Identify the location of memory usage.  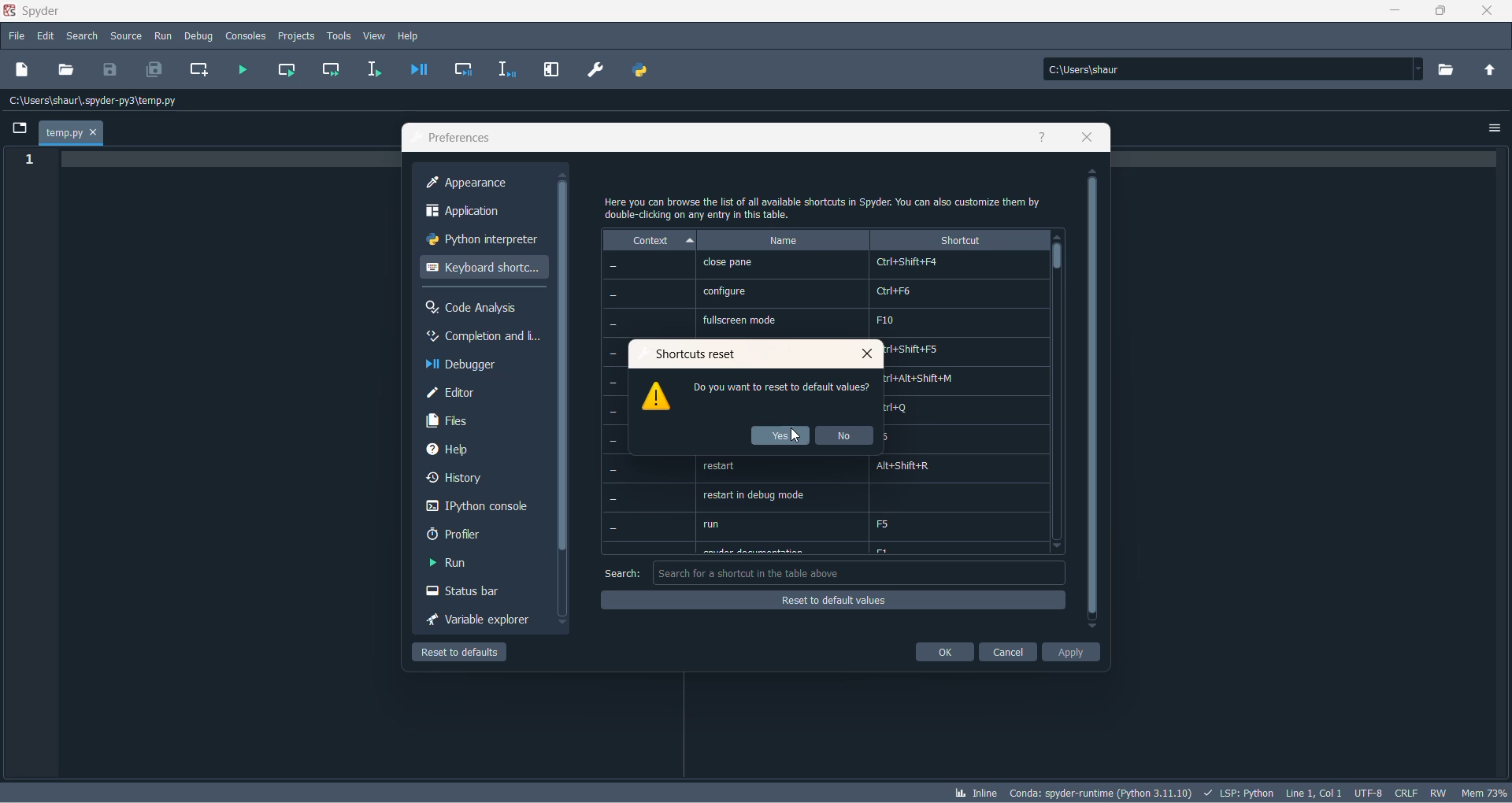
(1484, 791).